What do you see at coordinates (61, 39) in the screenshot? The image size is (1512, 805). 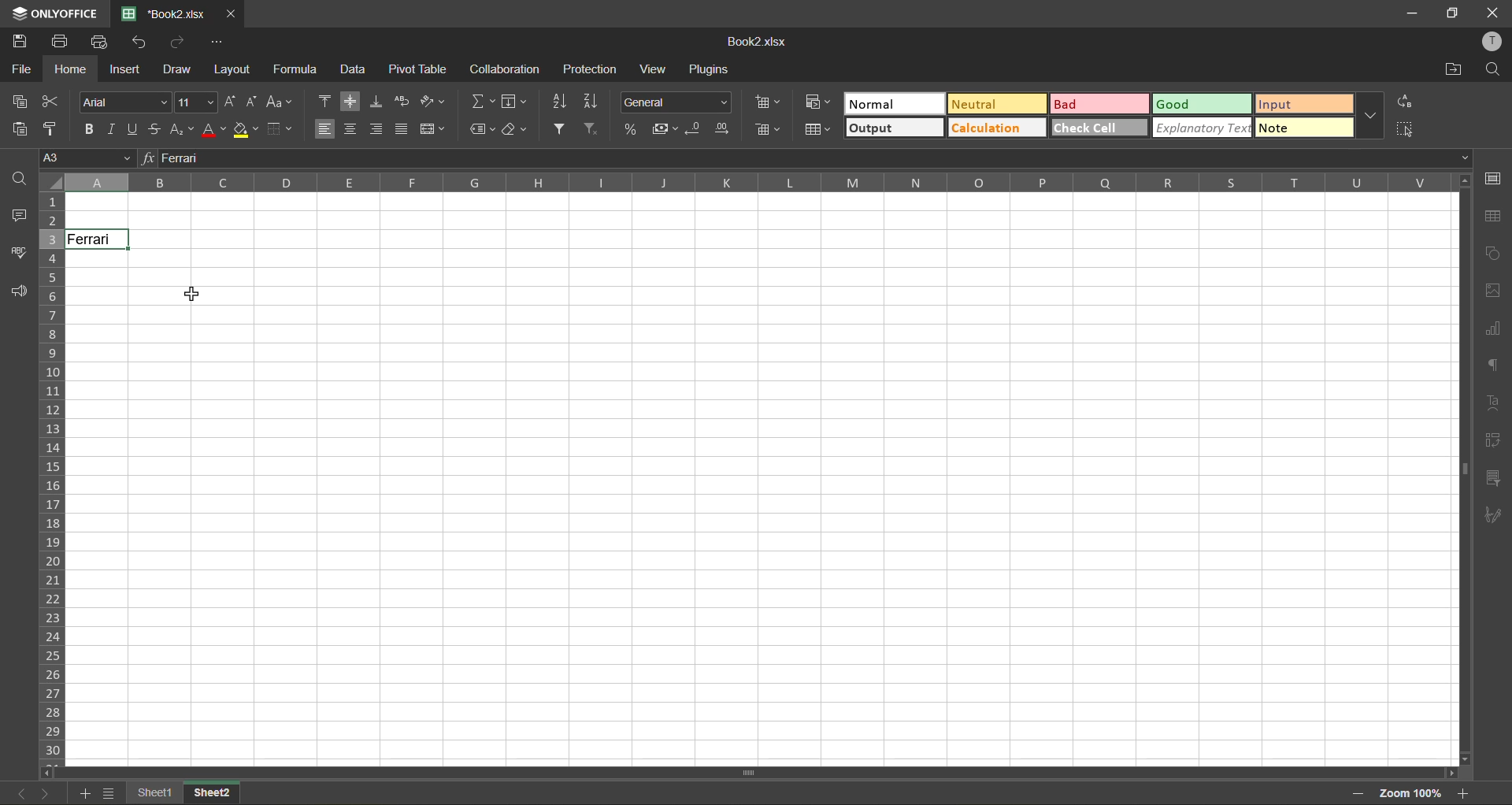 I see `print` at bounding box center [61, 39].